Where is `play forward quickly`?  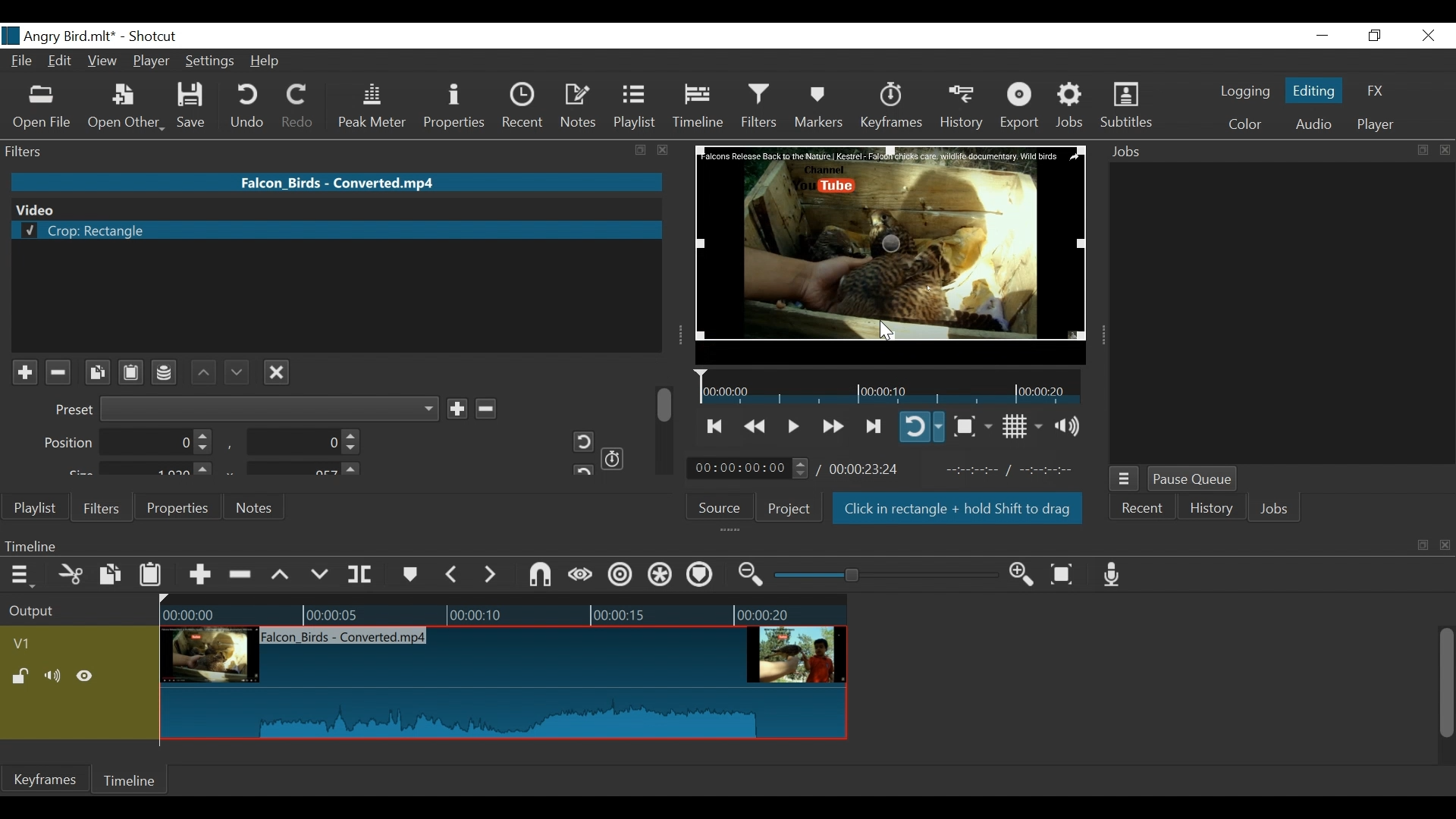
play forward quickly is located at coordinates (831, 428).